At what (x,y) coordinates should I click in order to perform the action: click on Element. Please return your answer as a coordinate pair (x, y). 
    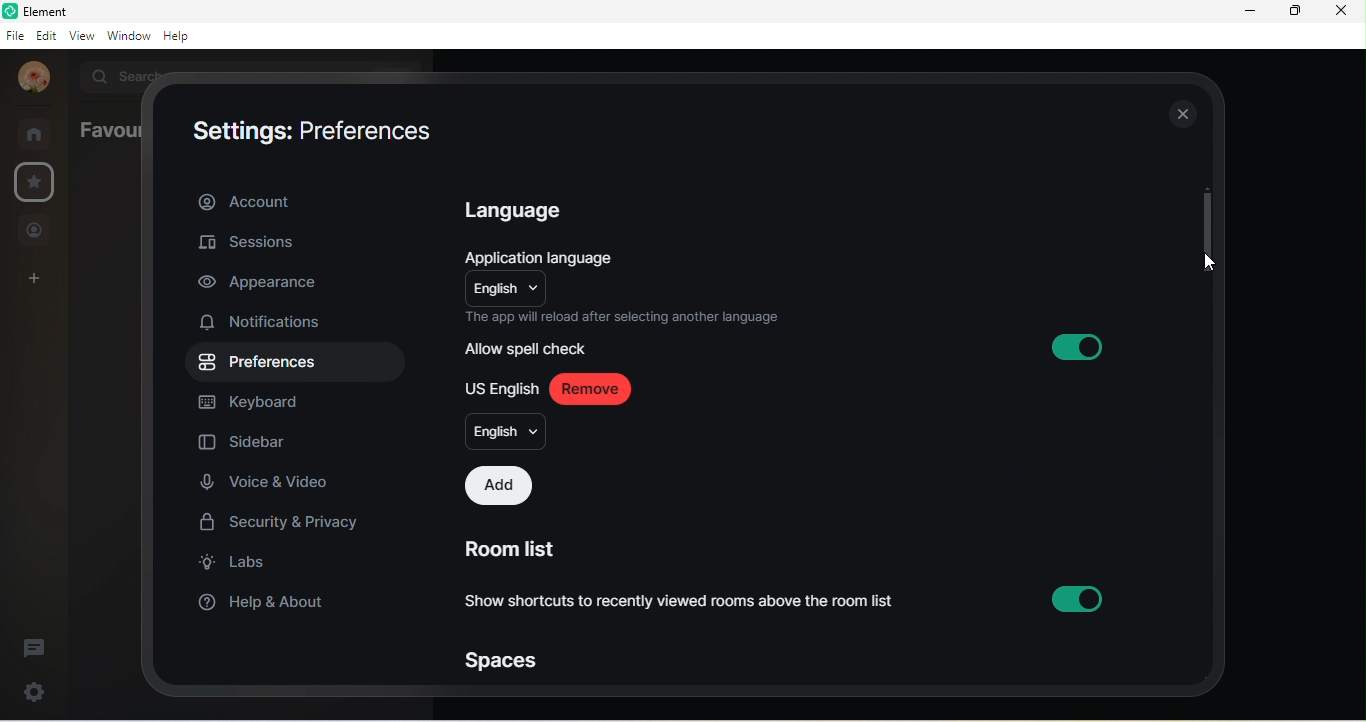
    Looking at the image, I should click on (43, 11).